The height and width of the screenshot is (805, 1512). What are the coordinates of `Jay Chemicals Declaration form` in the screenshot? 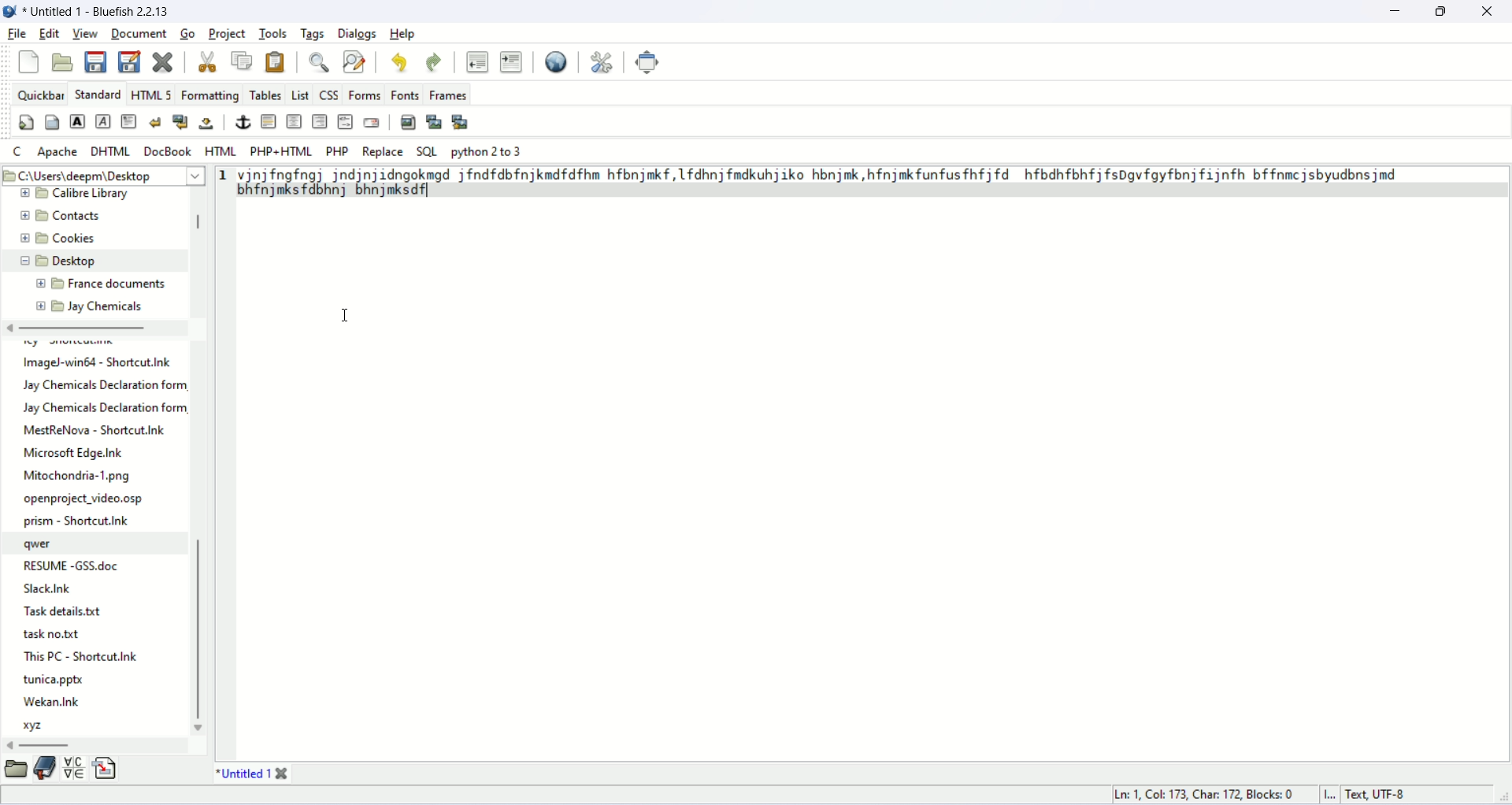 It's located at (106, 409).